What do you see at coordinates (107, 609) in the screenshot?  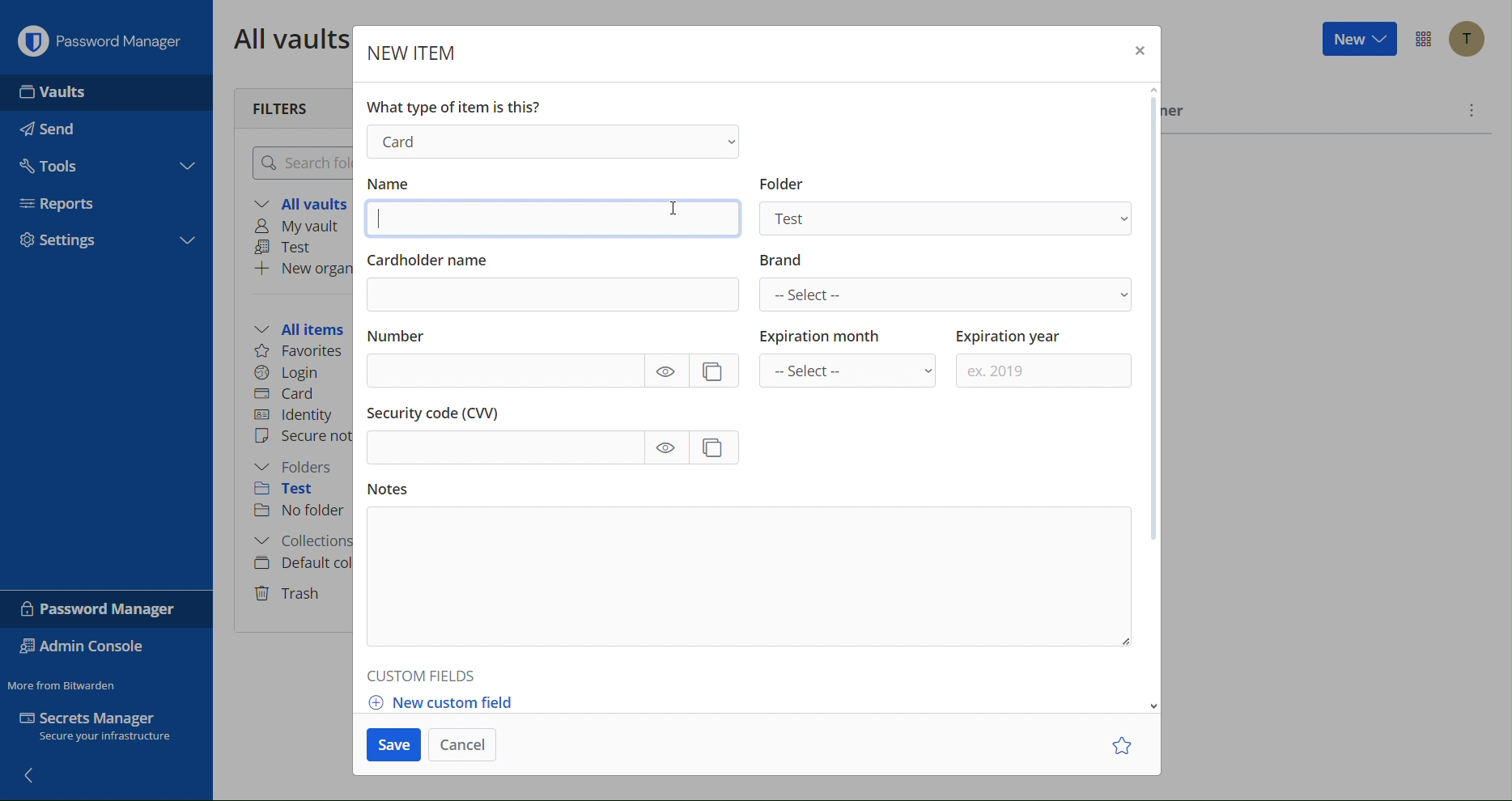 I see `Password Manager` at bounding box center [107, 609].